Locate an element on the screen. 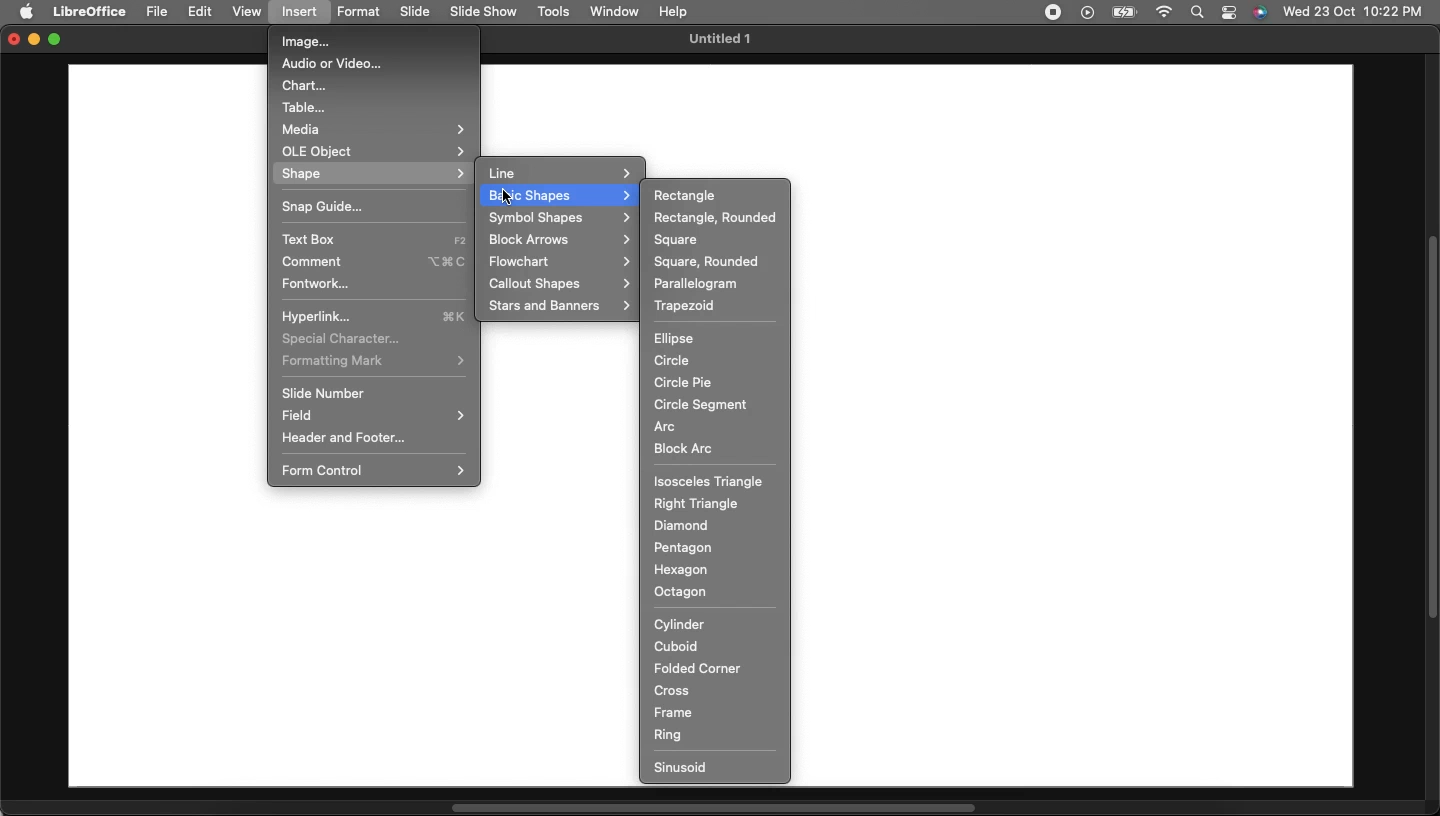  Block arrows is located at coordinates (560, 240).